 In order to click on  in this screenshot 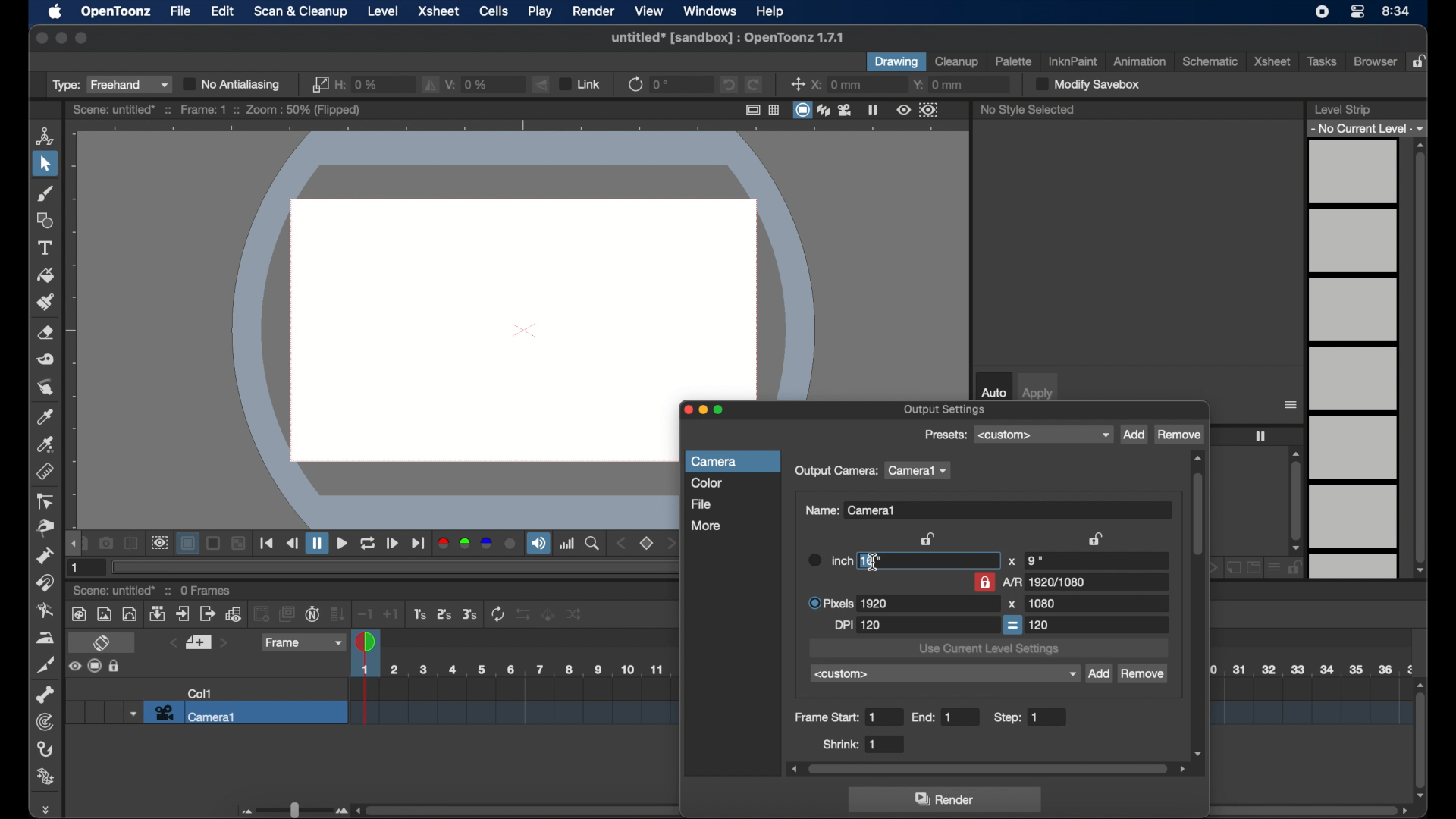, I will do `click(500, 614)`.